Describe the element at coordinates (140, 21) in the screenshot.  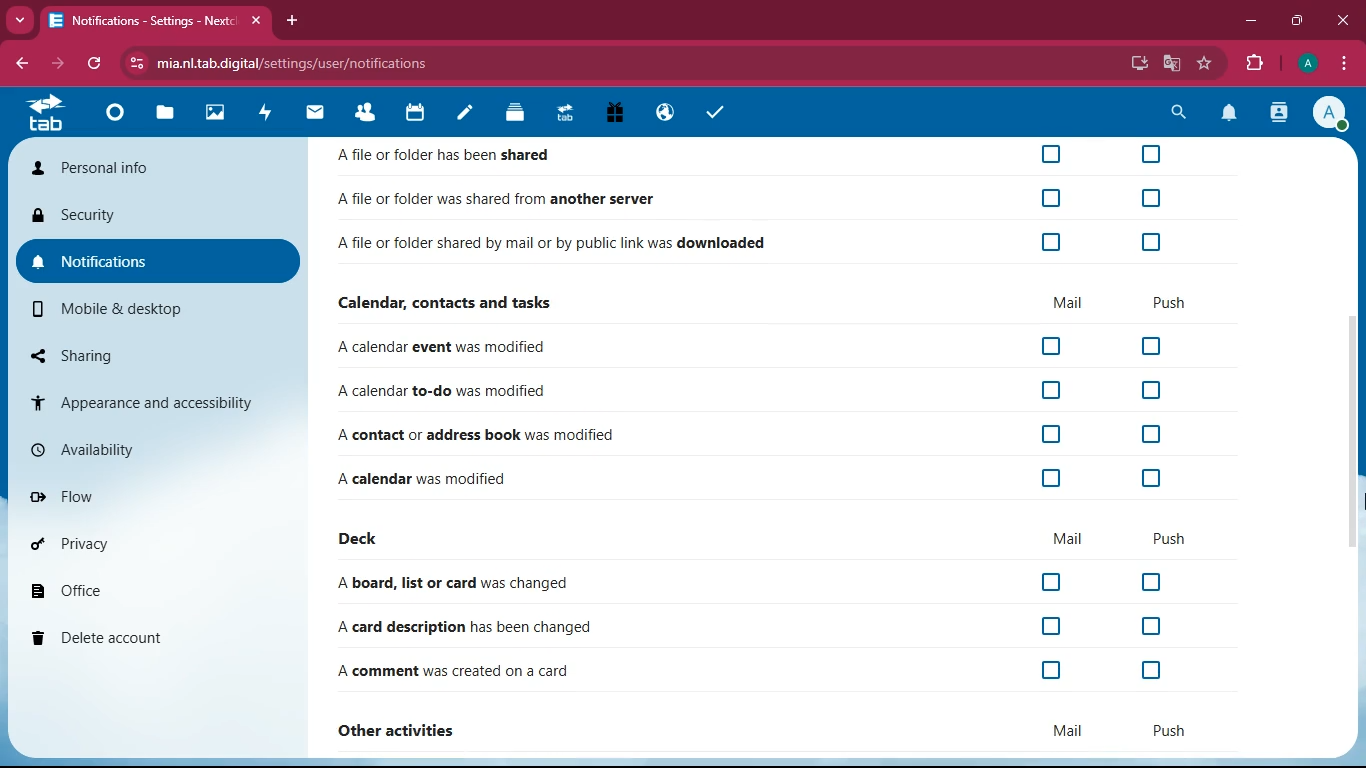
I see `Notifications - Settings - Next:` at that location.